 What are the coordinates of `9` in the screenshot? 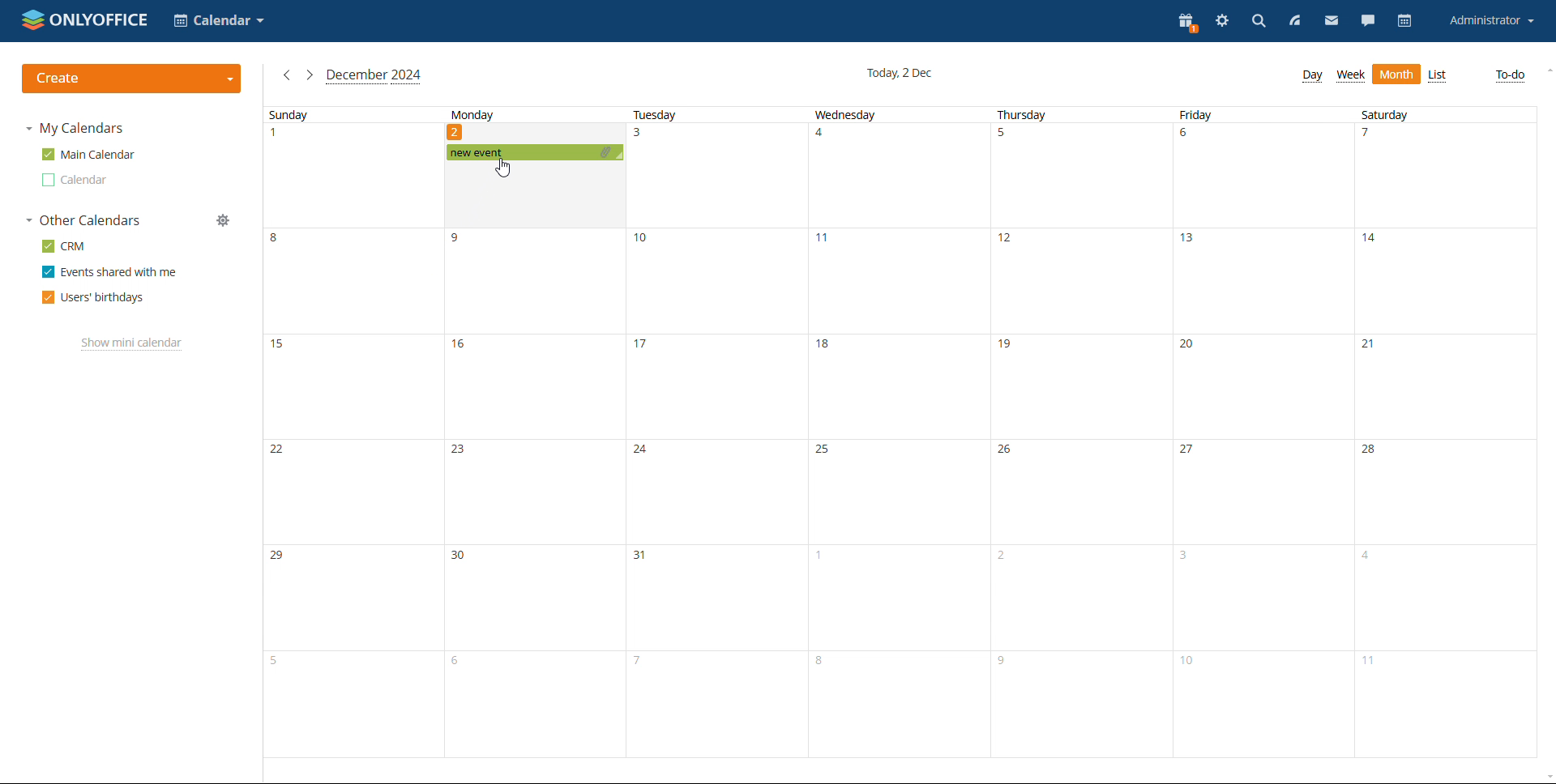 It's located at (1005, 663).